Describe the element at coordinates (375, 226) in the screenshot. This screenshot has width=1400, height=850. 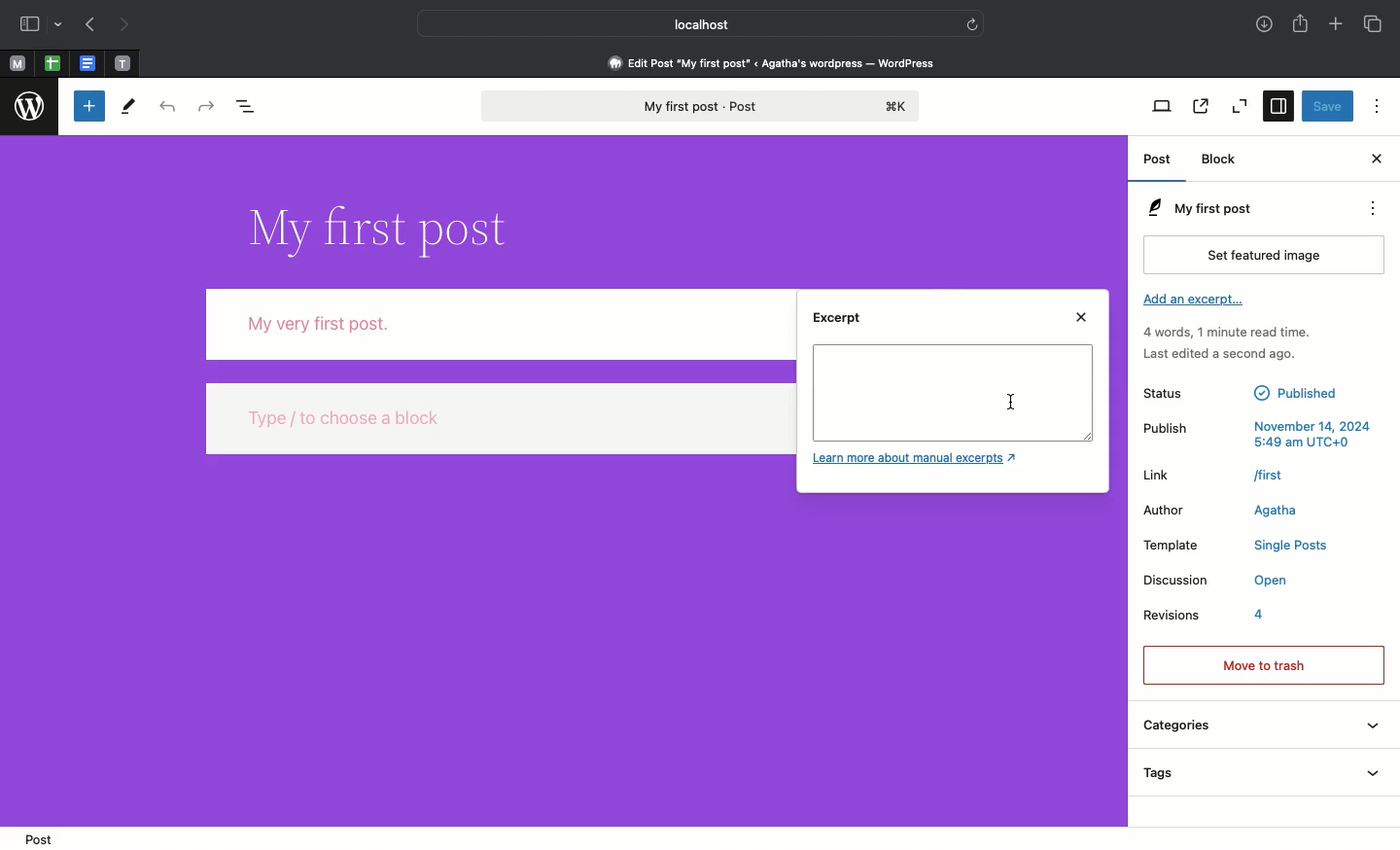
I see `Title` at that location.